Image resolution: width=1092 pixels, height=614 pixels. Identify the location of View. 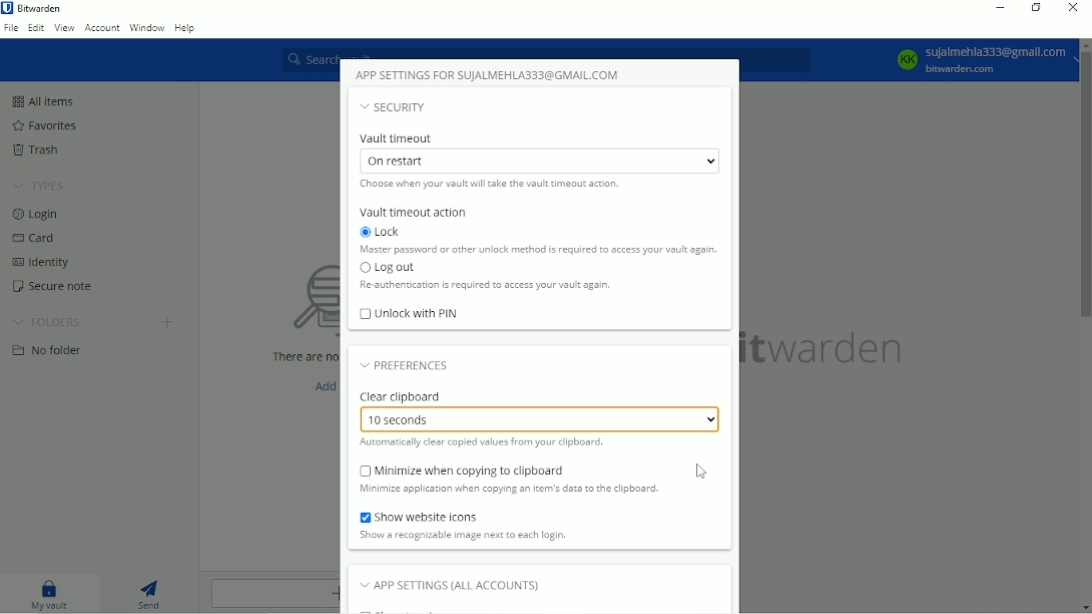
(64, 29).